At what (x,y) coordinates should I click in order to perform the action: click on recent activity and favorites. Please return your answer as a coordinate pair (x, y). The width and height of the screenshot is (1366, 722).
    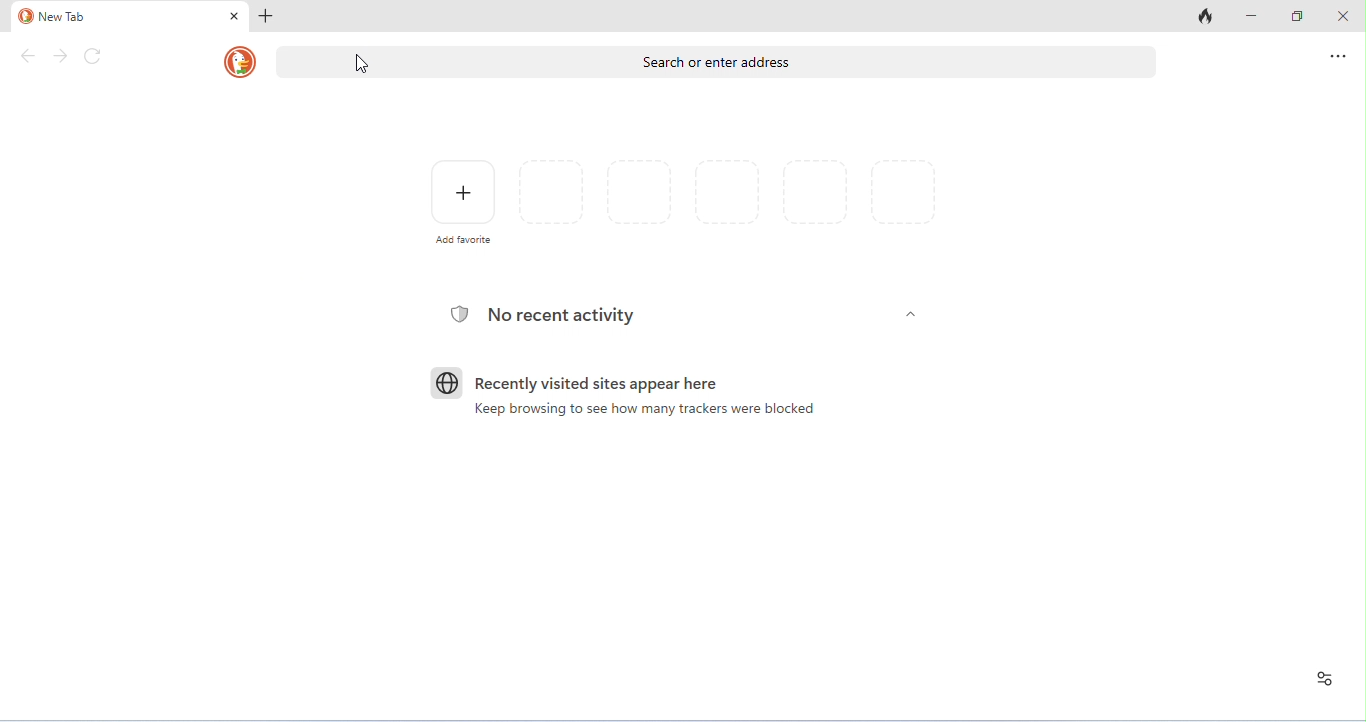
    Looking at the image, I should click on (1327, 677).